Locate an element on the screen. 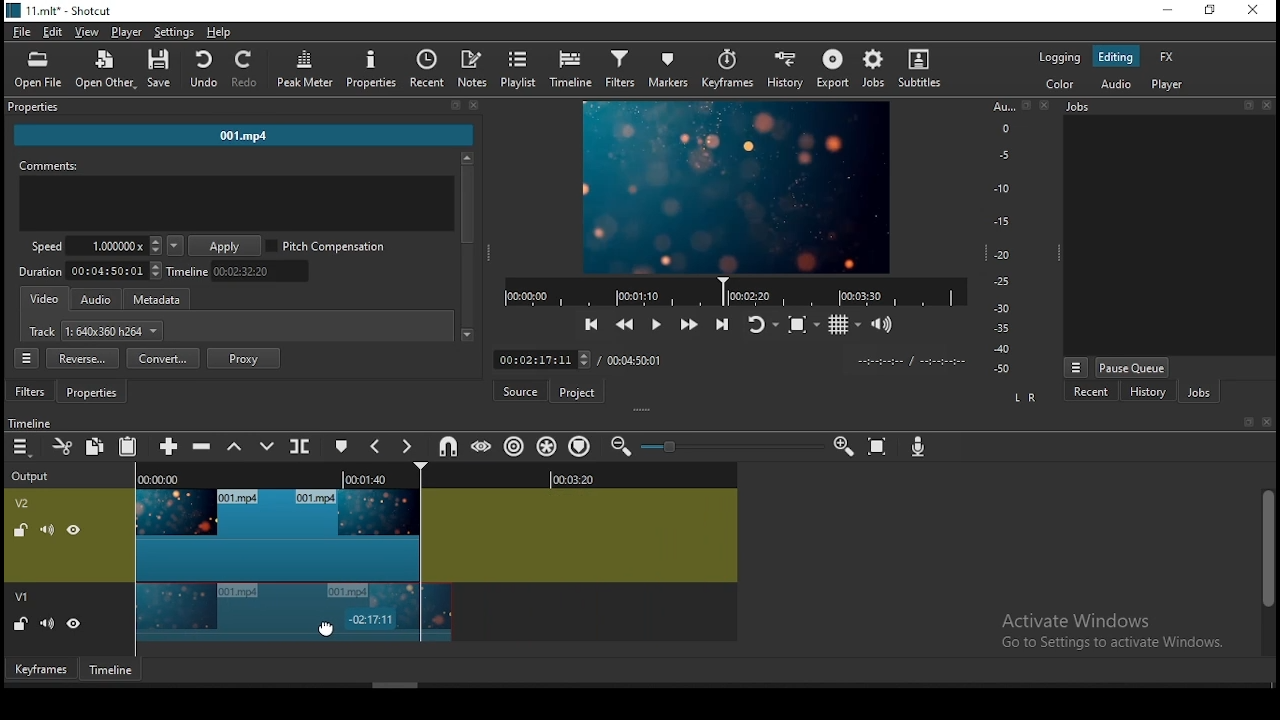 The height and width of the screenshot is (720, 1280). ripple markers is located at coordinates (578, 446).